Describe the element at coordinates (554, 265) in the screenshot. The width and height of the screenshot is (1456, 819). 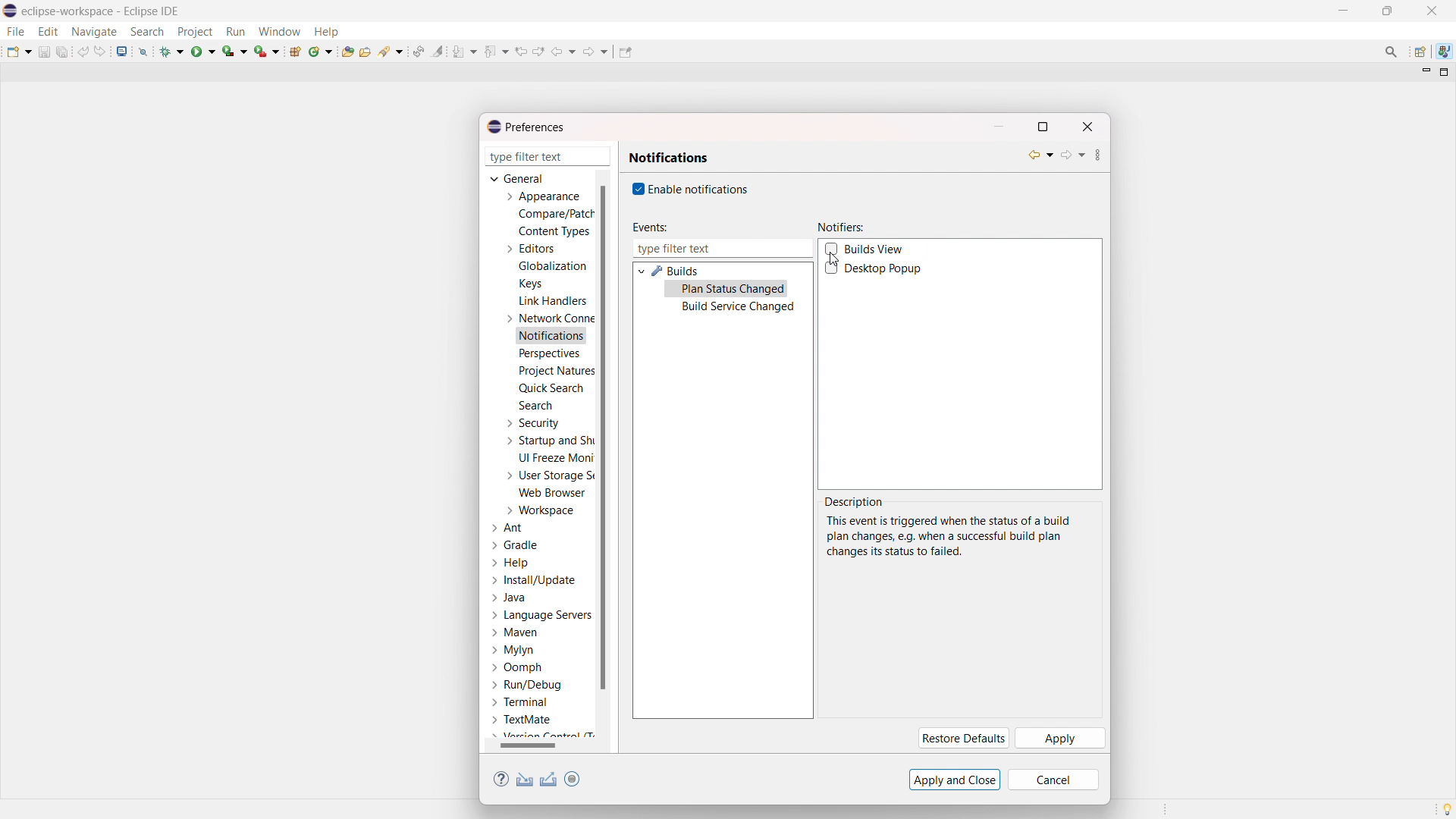
I see `globalization` at that location.